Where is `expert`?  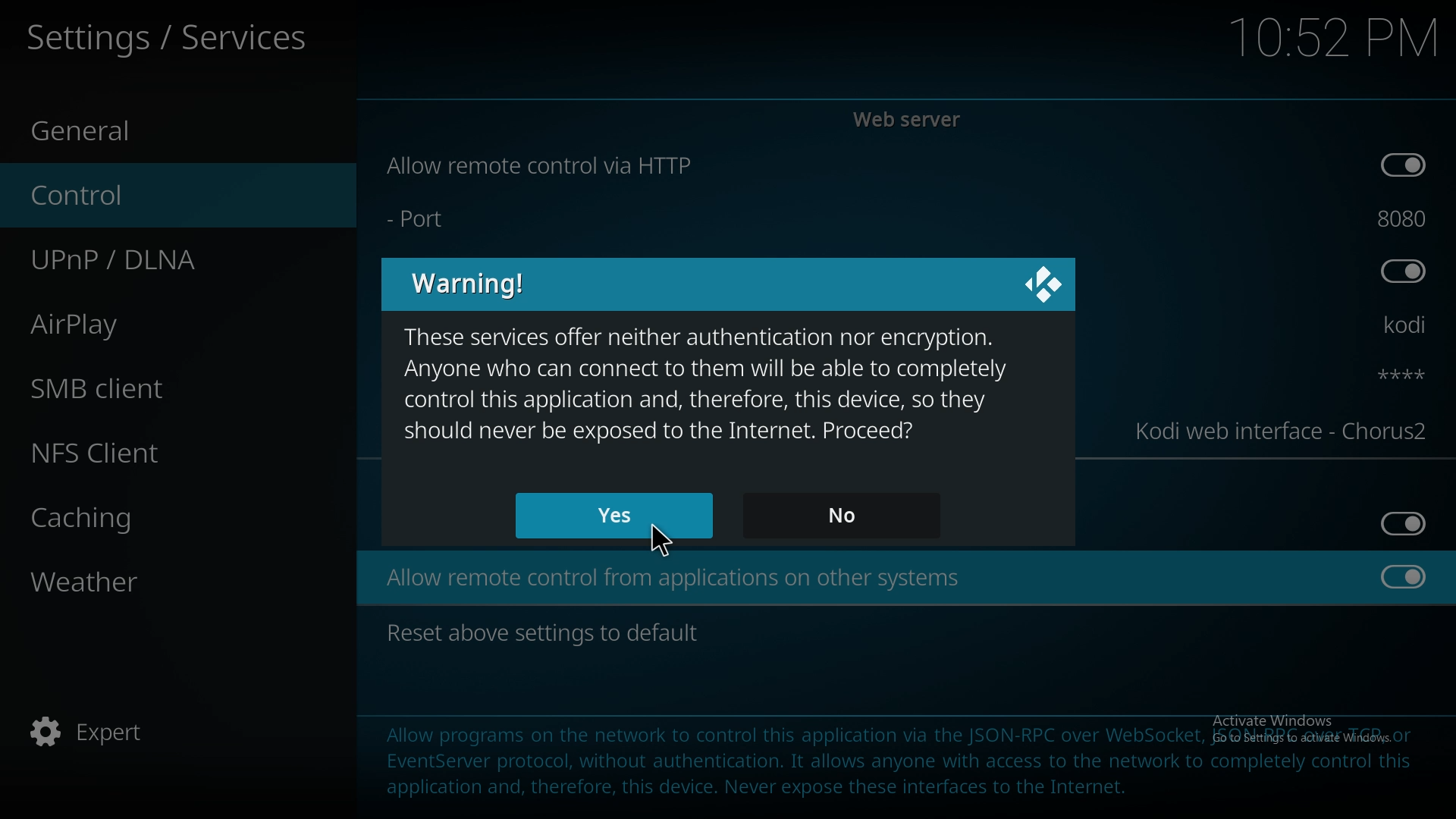
expert is located at coordinates (155, 729).